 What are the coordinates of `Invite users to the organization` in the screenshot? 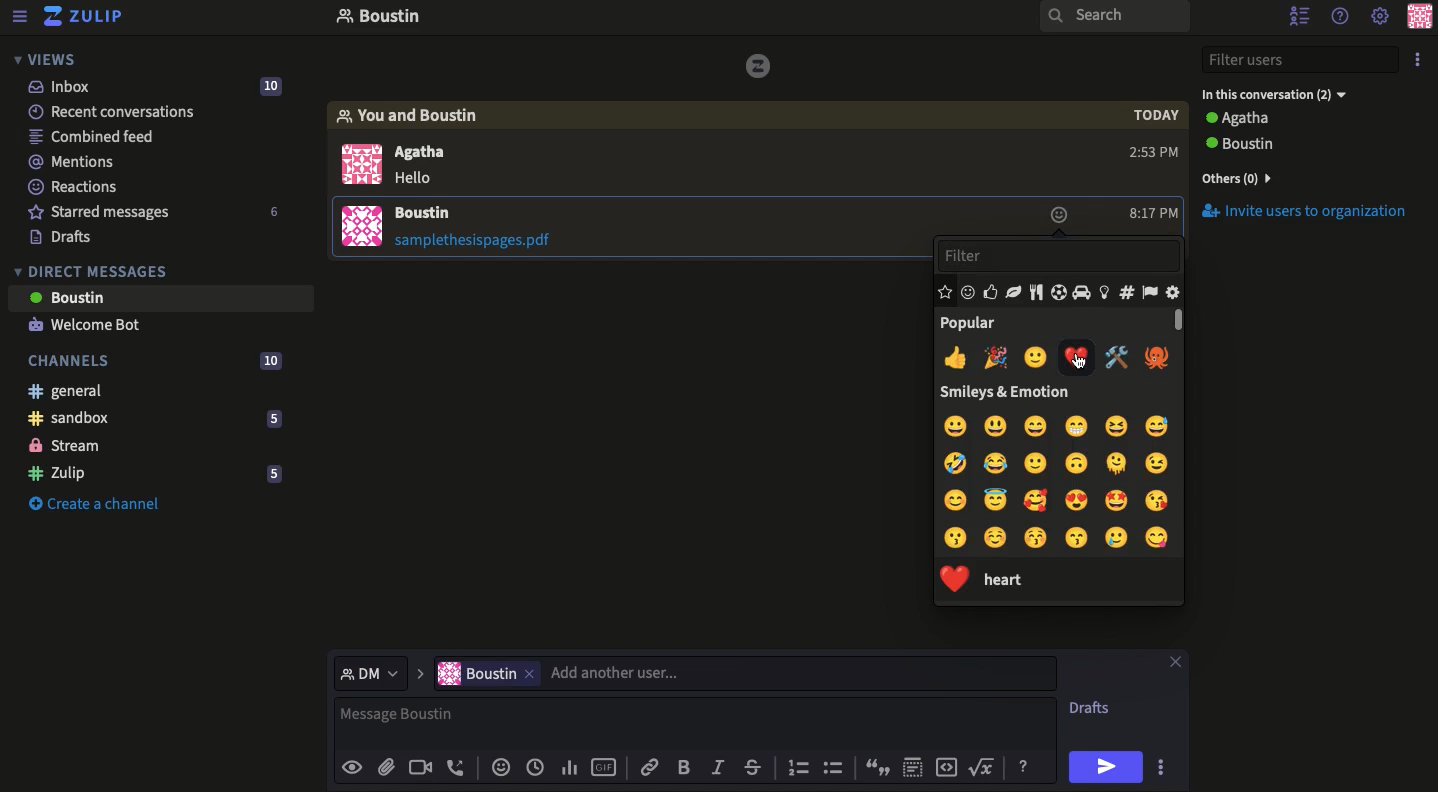 It's located at (1311, 210).